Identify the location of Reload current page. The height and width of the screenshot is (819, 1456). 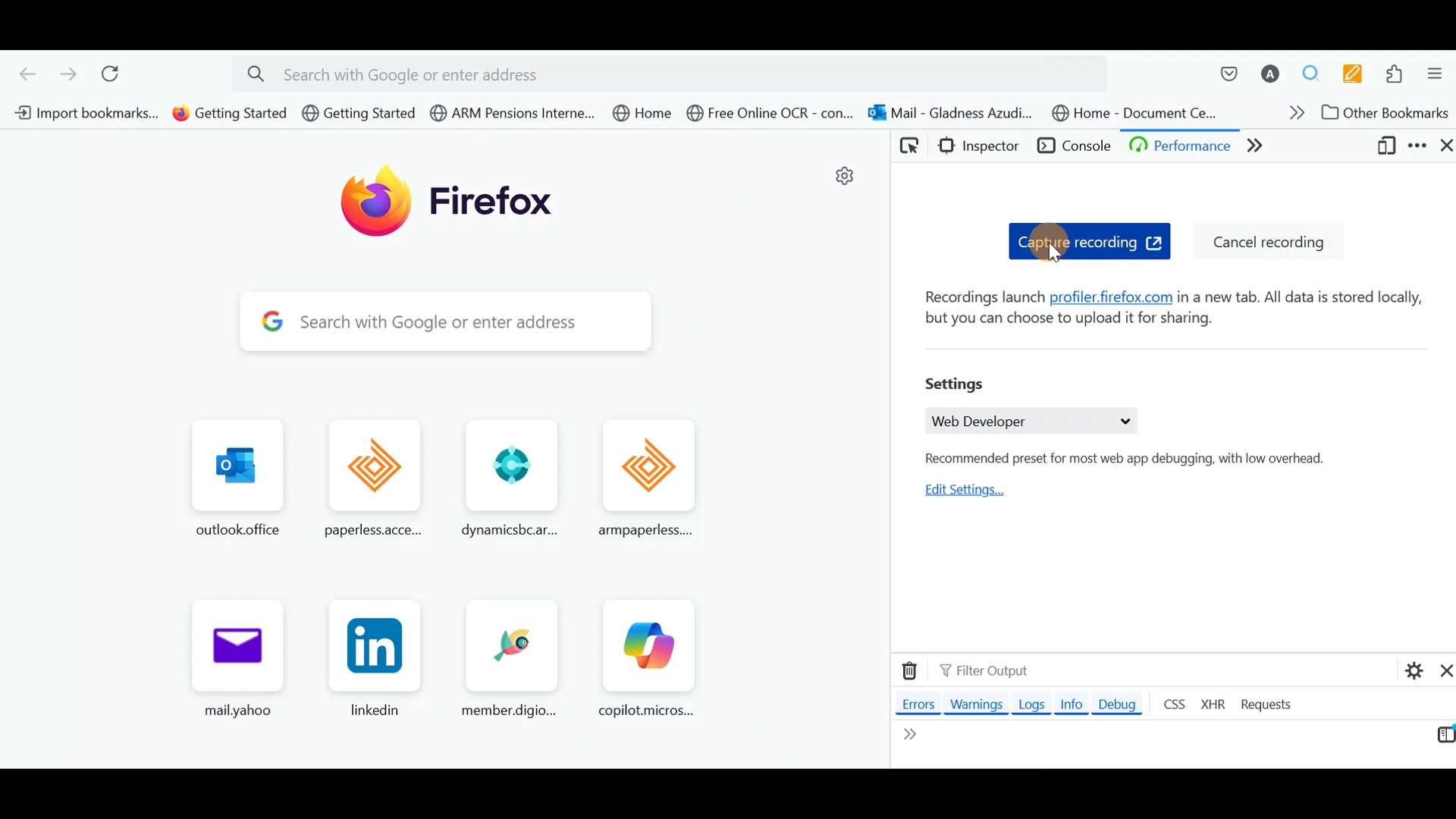
(121, 76).